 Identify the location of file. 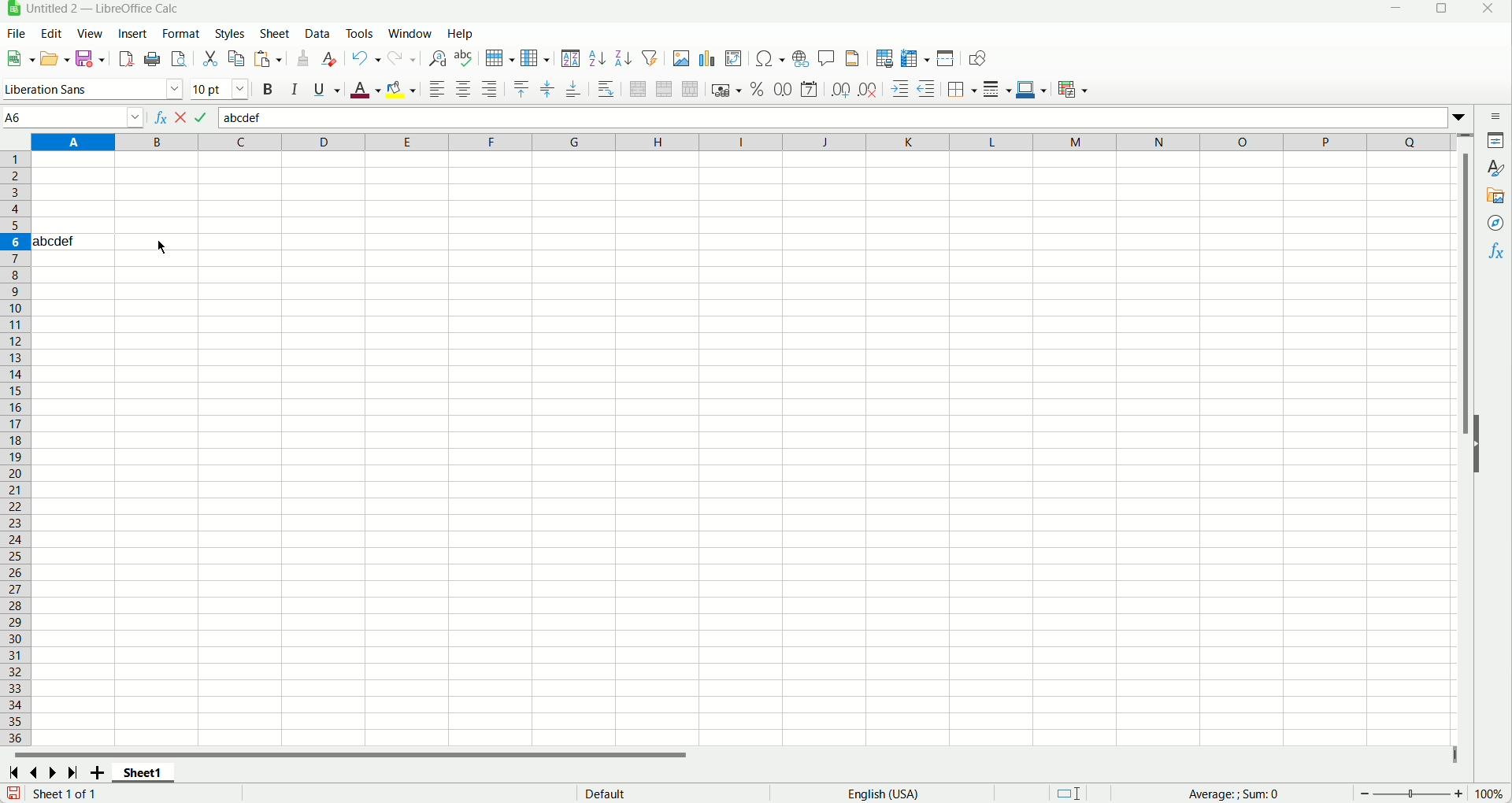
(15, 34).